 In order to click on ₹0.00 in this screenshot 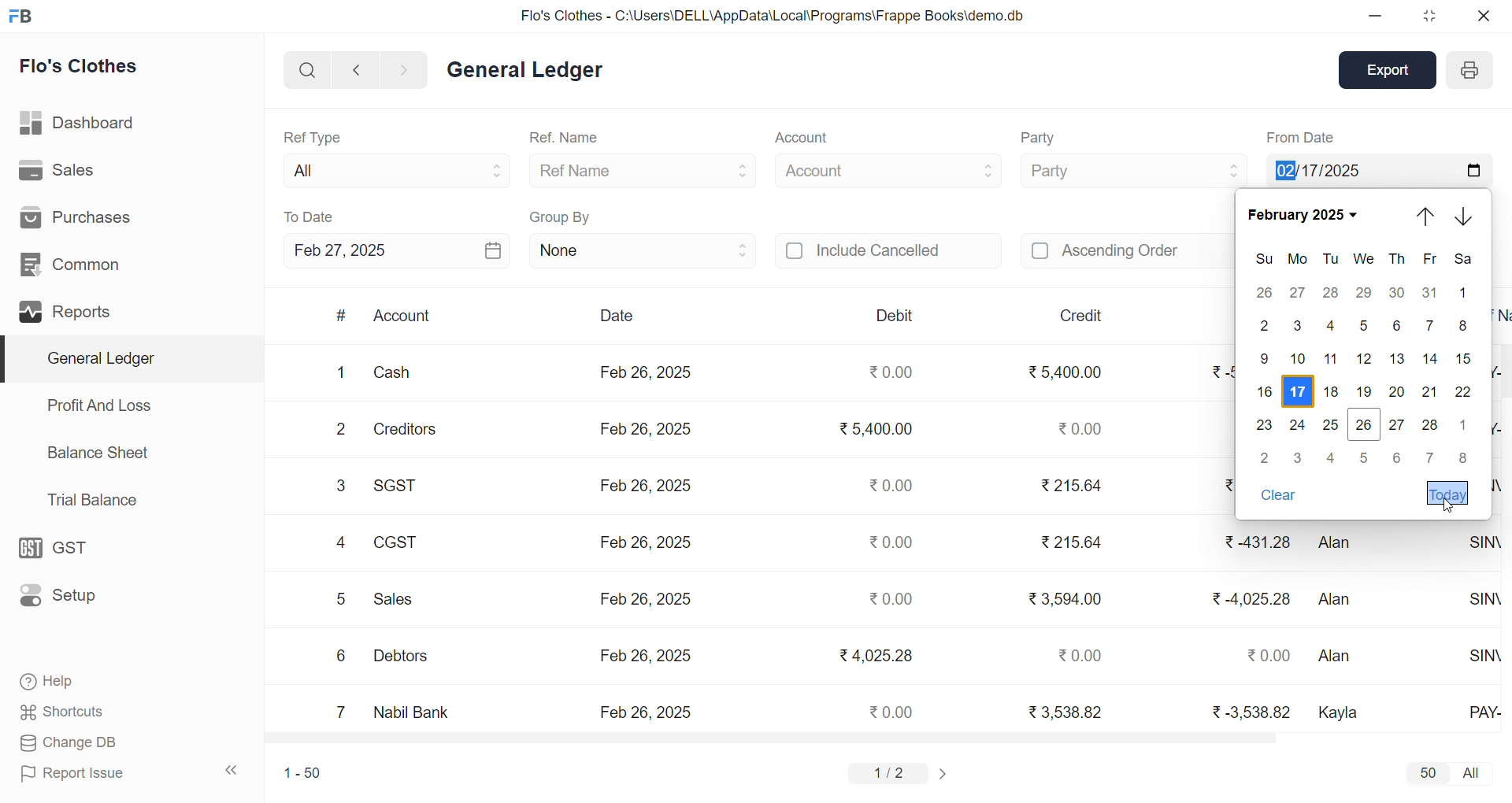, I will do `click(889, 543)`.